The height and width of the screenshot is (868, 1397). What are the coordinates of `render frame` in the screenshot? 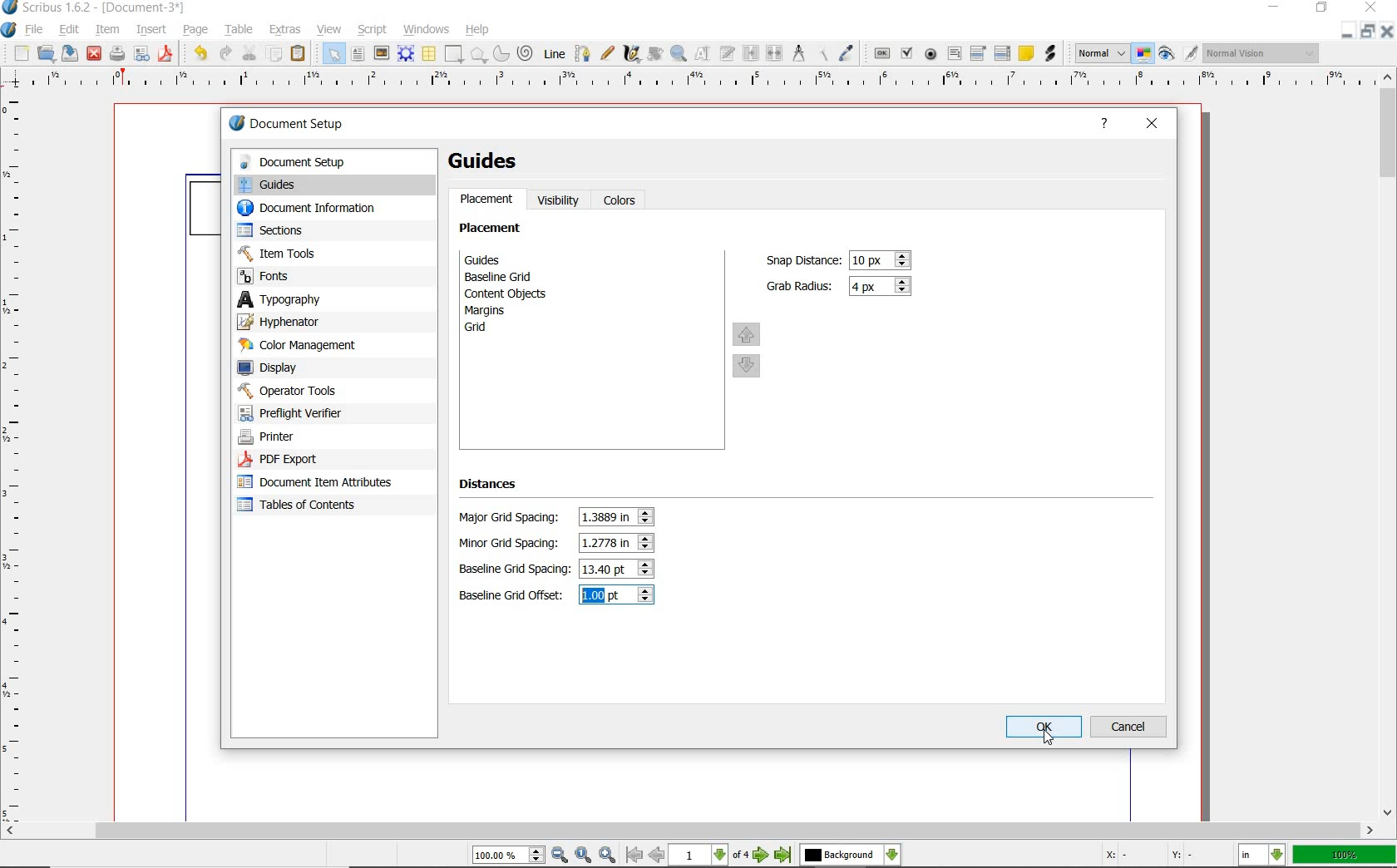 It's located at (406, 54).